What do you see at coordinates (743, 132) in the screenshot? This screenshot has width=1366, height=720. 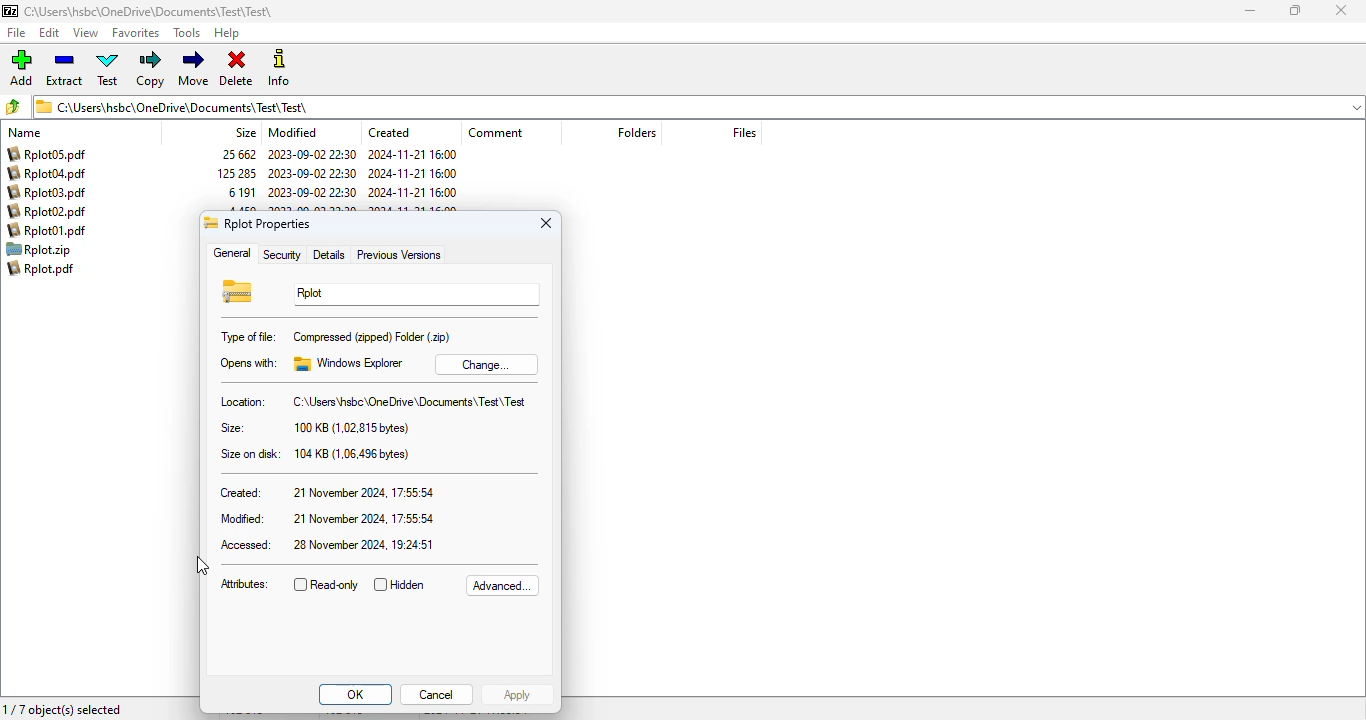 I see `files` at bounding box center [743, 132].